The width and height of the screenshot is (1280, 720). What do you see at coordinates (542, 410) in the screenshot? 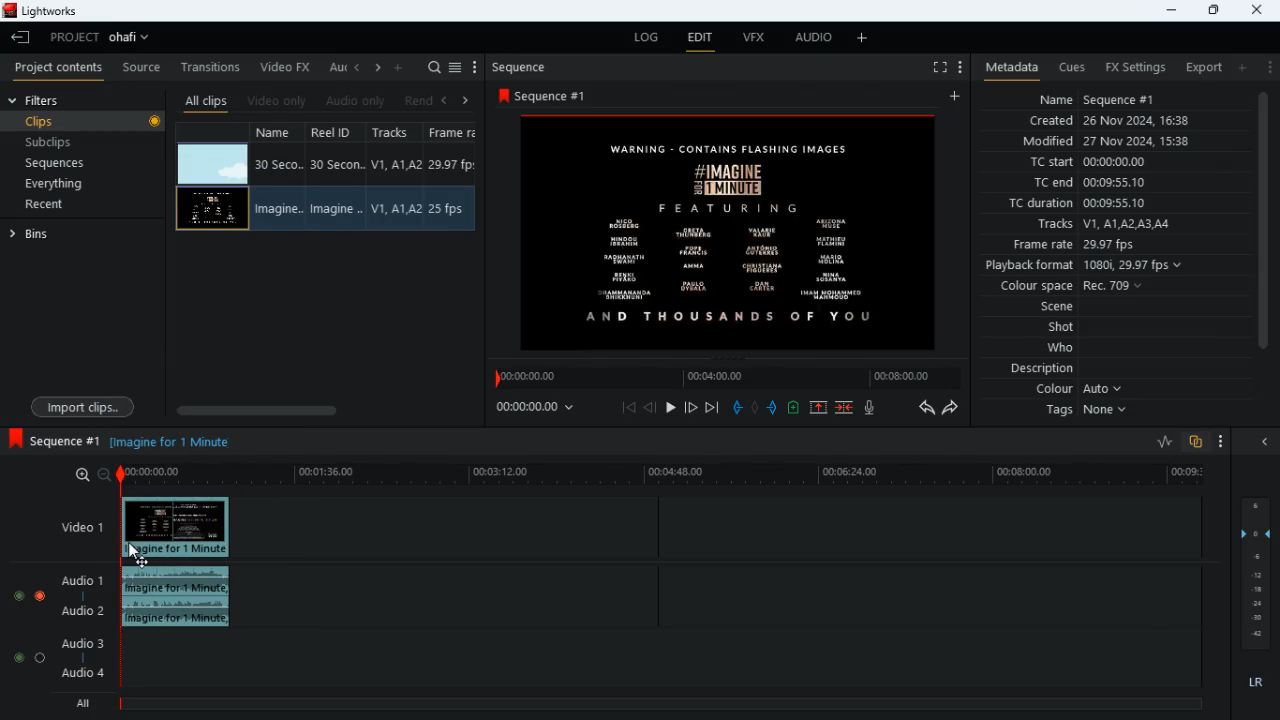
I see `time` at bounding box center [542, 410].